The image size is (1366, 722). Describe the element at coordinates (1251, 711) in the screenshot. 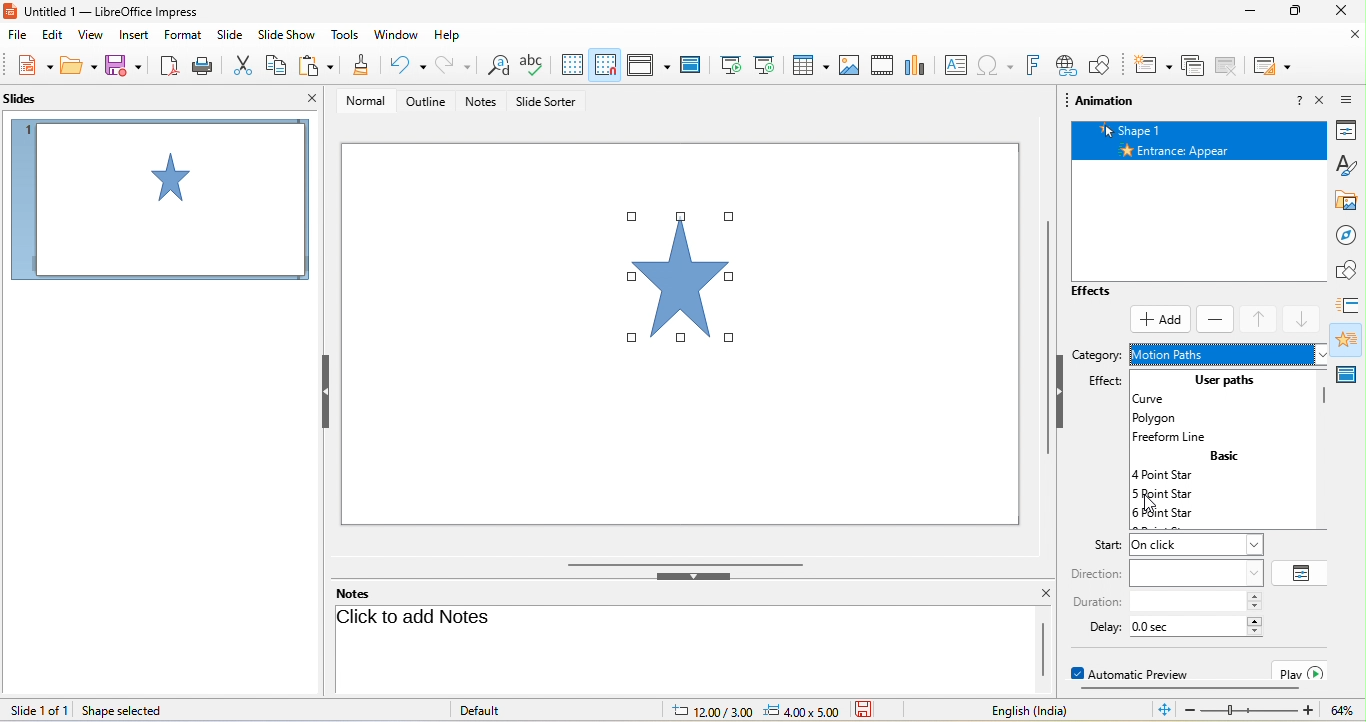

I see `zoom` at that location.